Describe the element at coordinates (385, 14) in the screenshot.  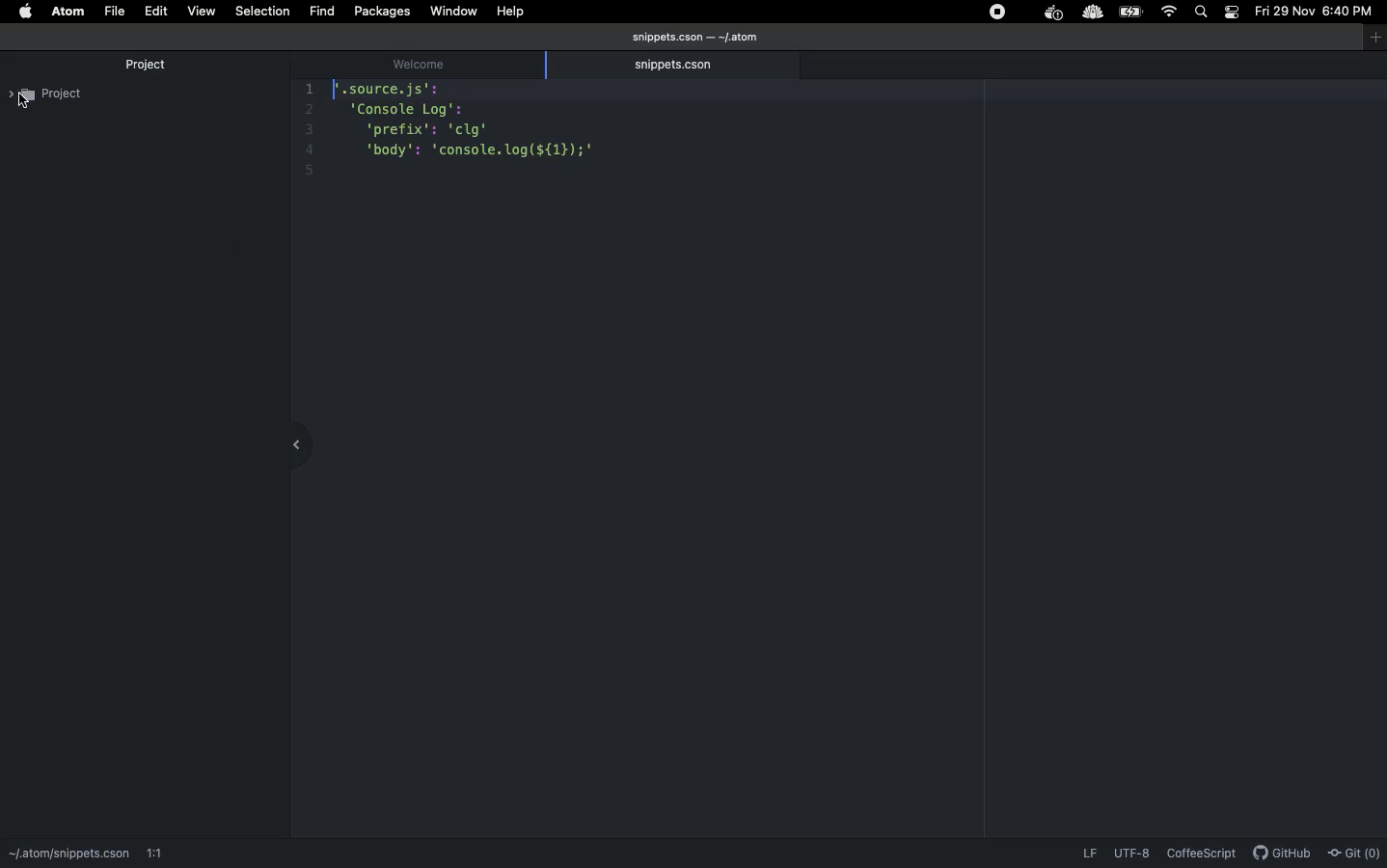
I see `Packages` at that location.